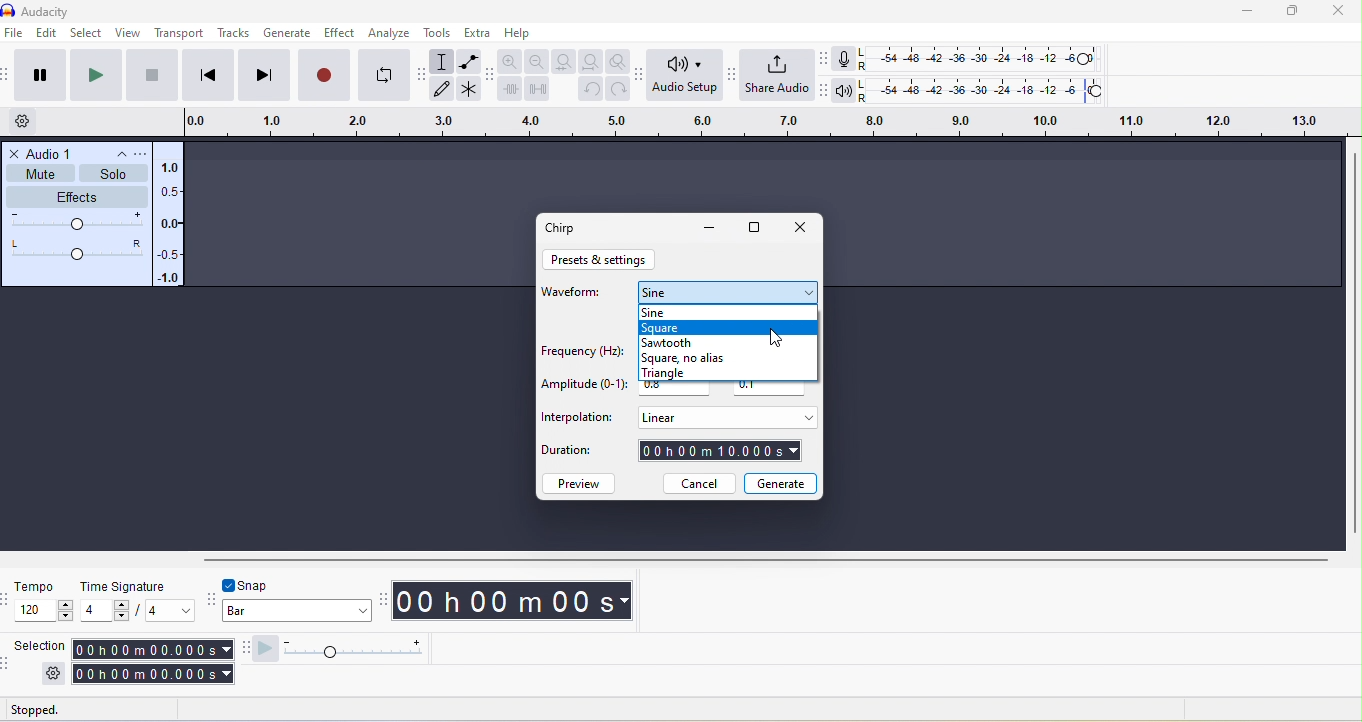 This screenshot has height=722, width=1362. I want to click on maximize, so click(1299, 11).